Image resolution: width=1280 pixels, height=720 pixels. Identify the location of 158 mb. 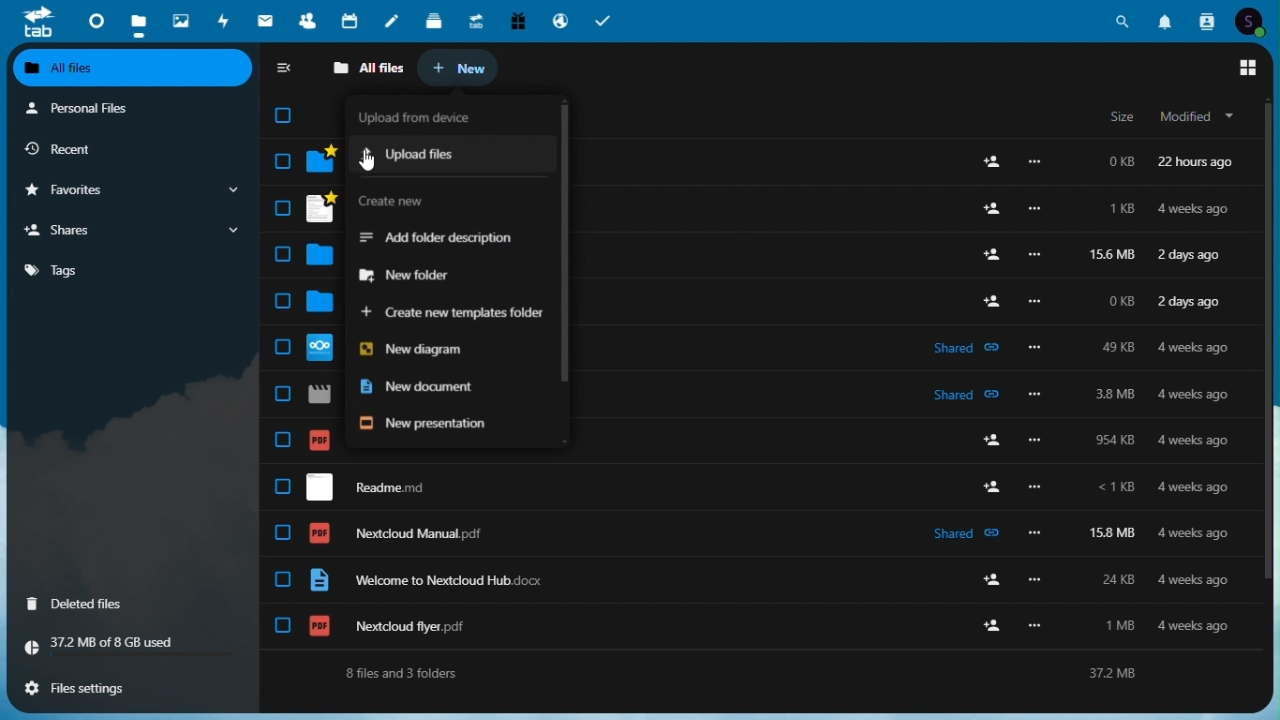
(1113, 533).